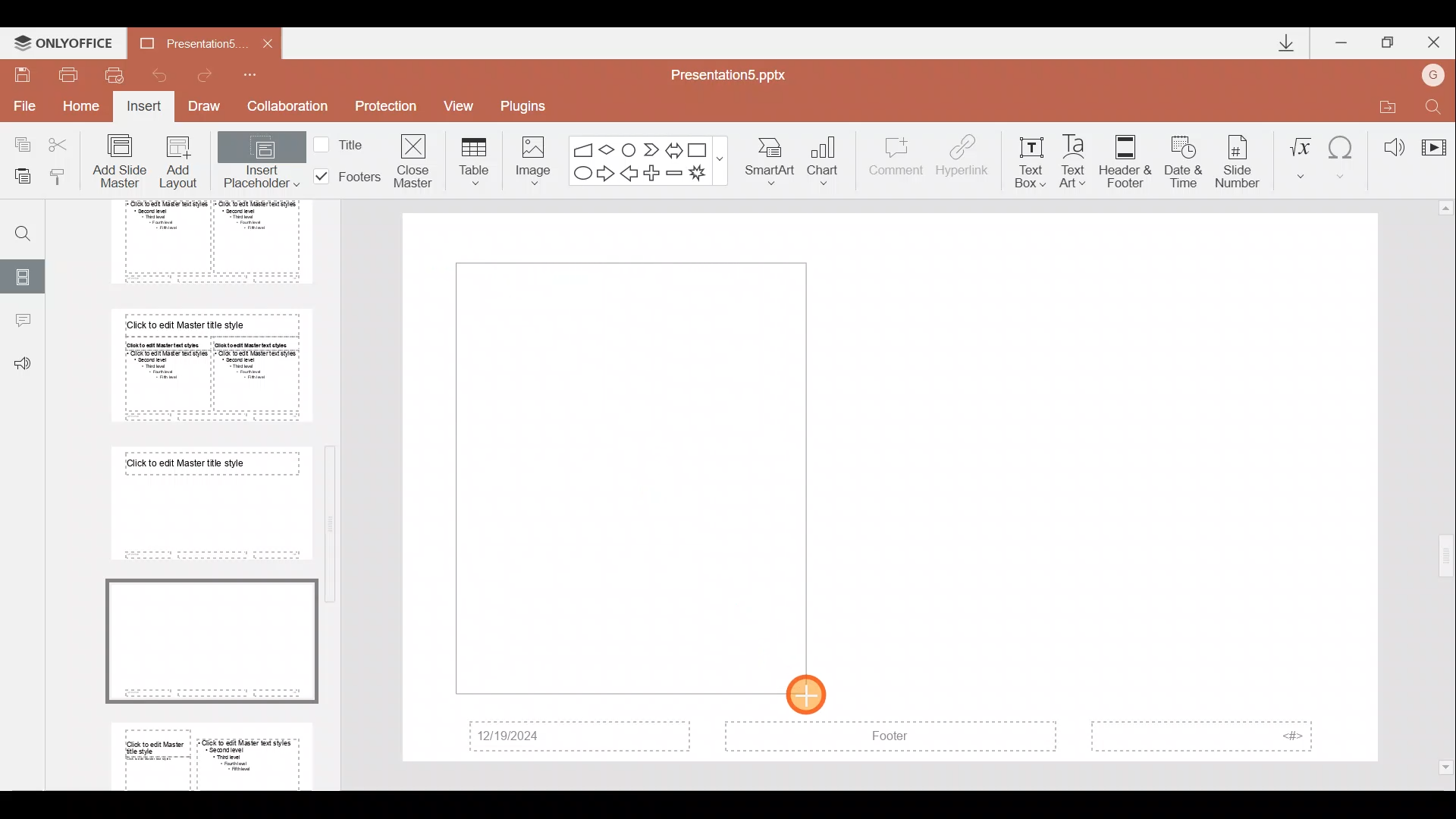 Image resolution: width=1456 pixels, height=819 pixels. What do you see at coordinates (145, 108) in the screenshot?
I see `Insert` at bounding box center [145, 108].